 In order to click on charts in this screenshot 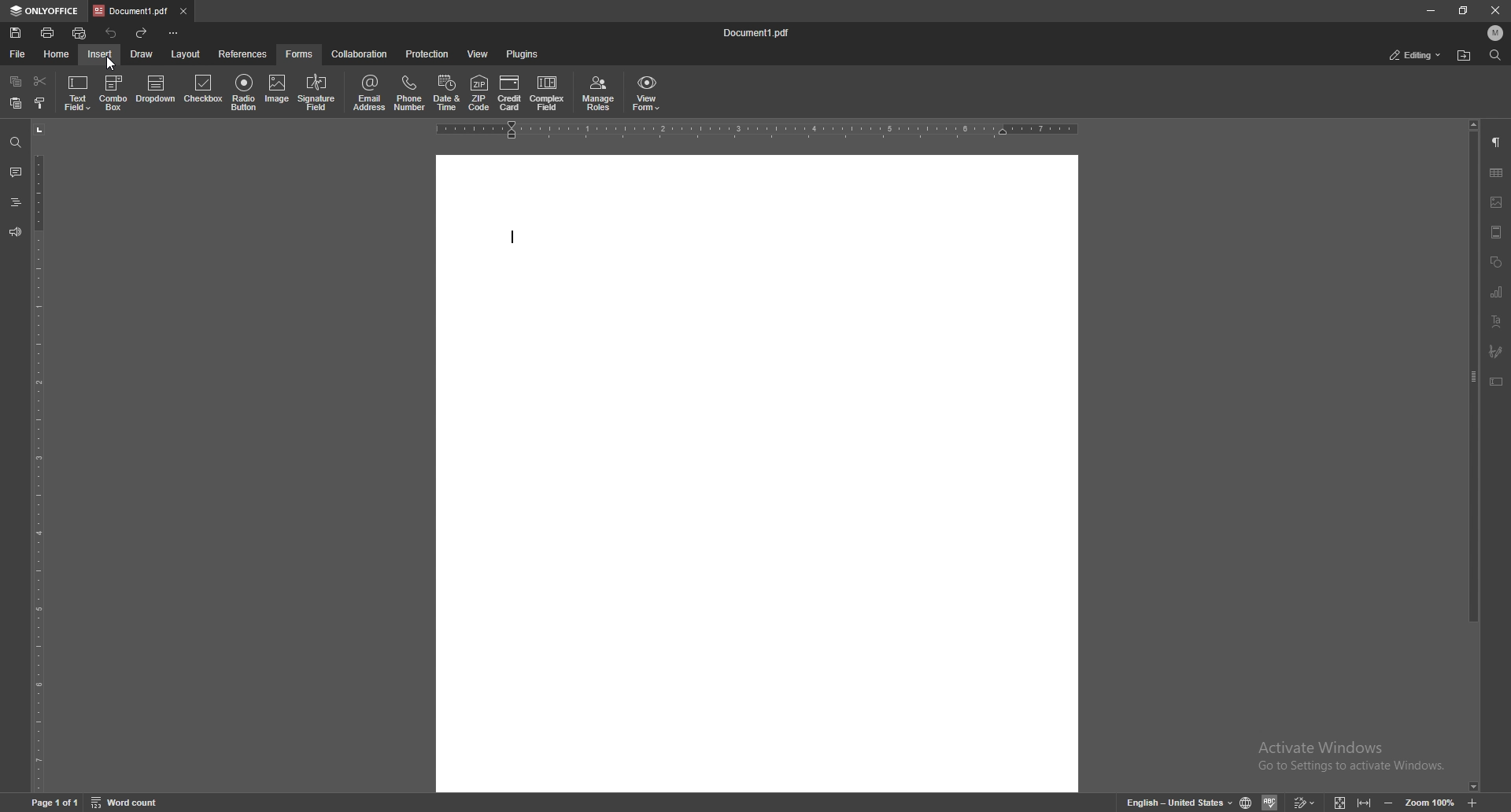, I will do `click(1498, 291)`.